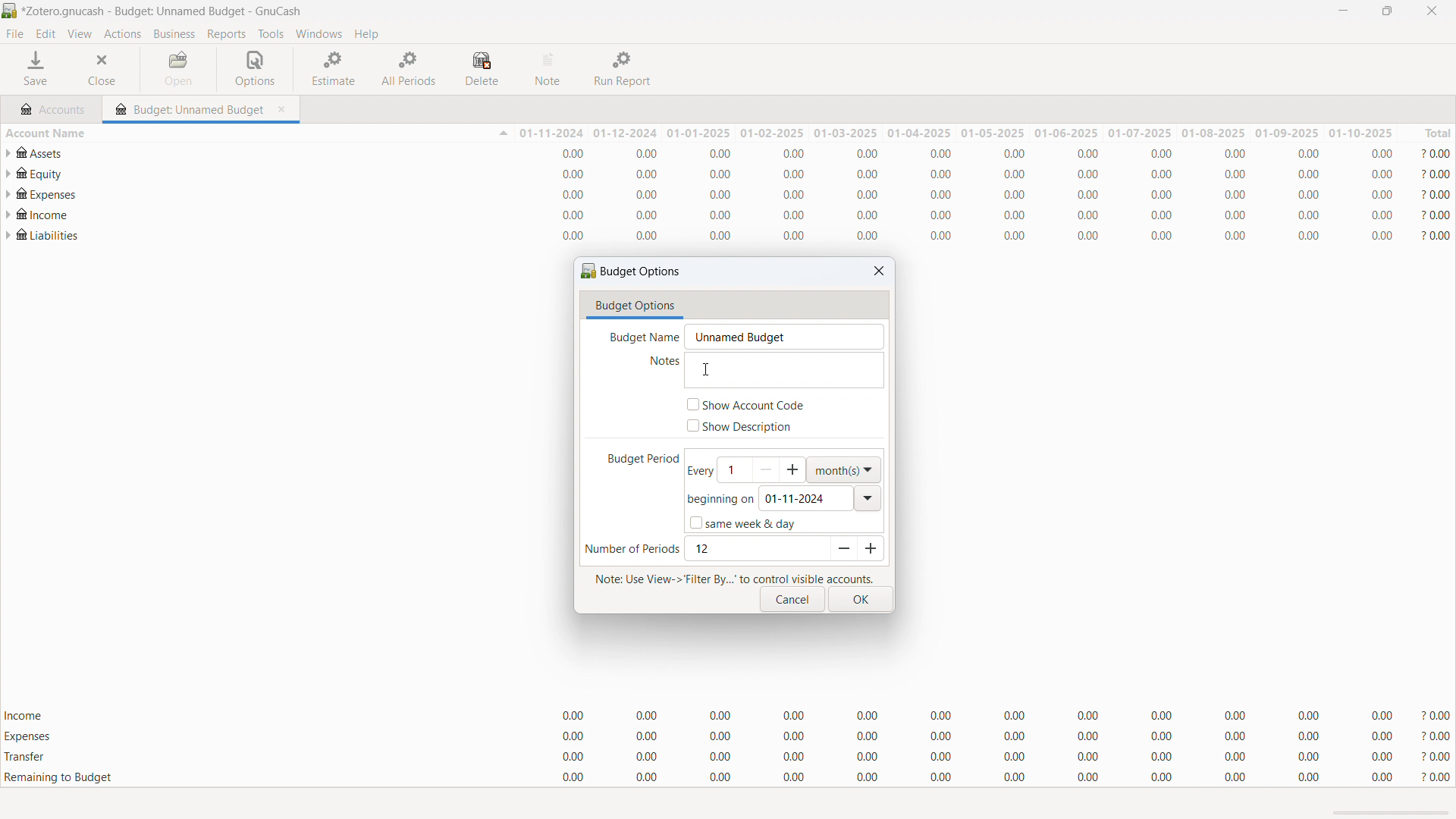 The width and height of the screenshot is (1456, 819). Describe the element at coordinates (256, 132) in the screenshot. I see `sort by account name` at that location.